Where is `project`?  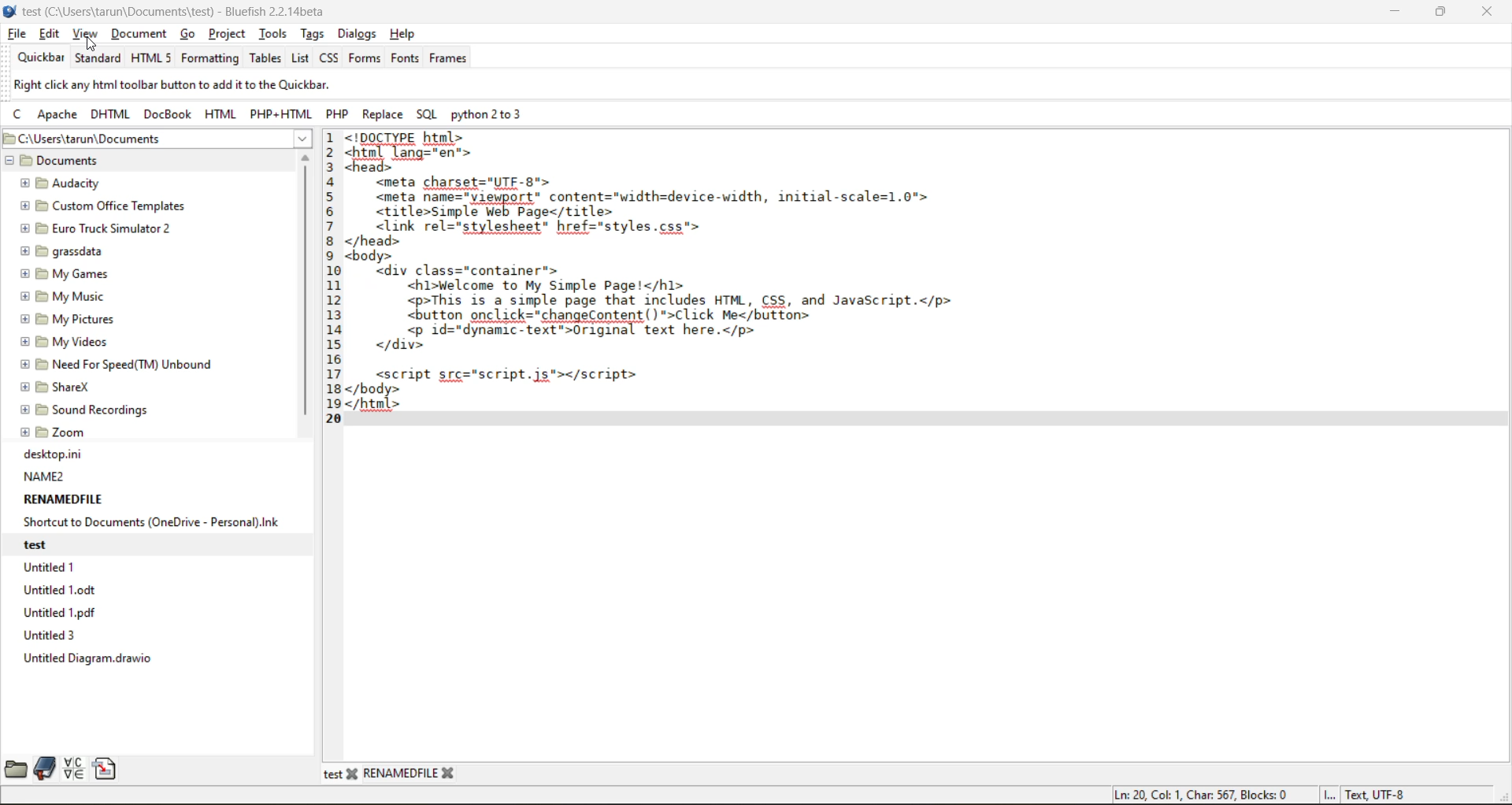
project is located at coordinates (230, 33).